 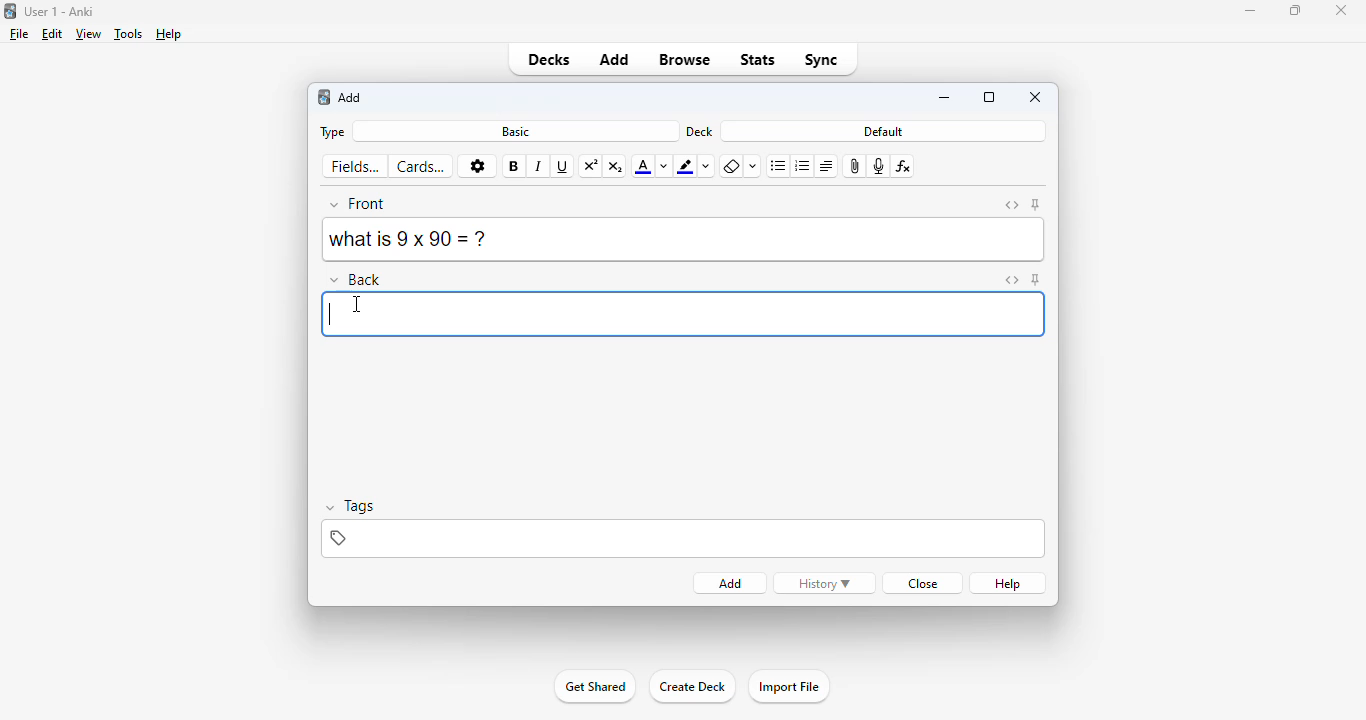 What do you see at coordinates (477, 167) in the screenshot?
I see `options` at bounding box center [477, 167].